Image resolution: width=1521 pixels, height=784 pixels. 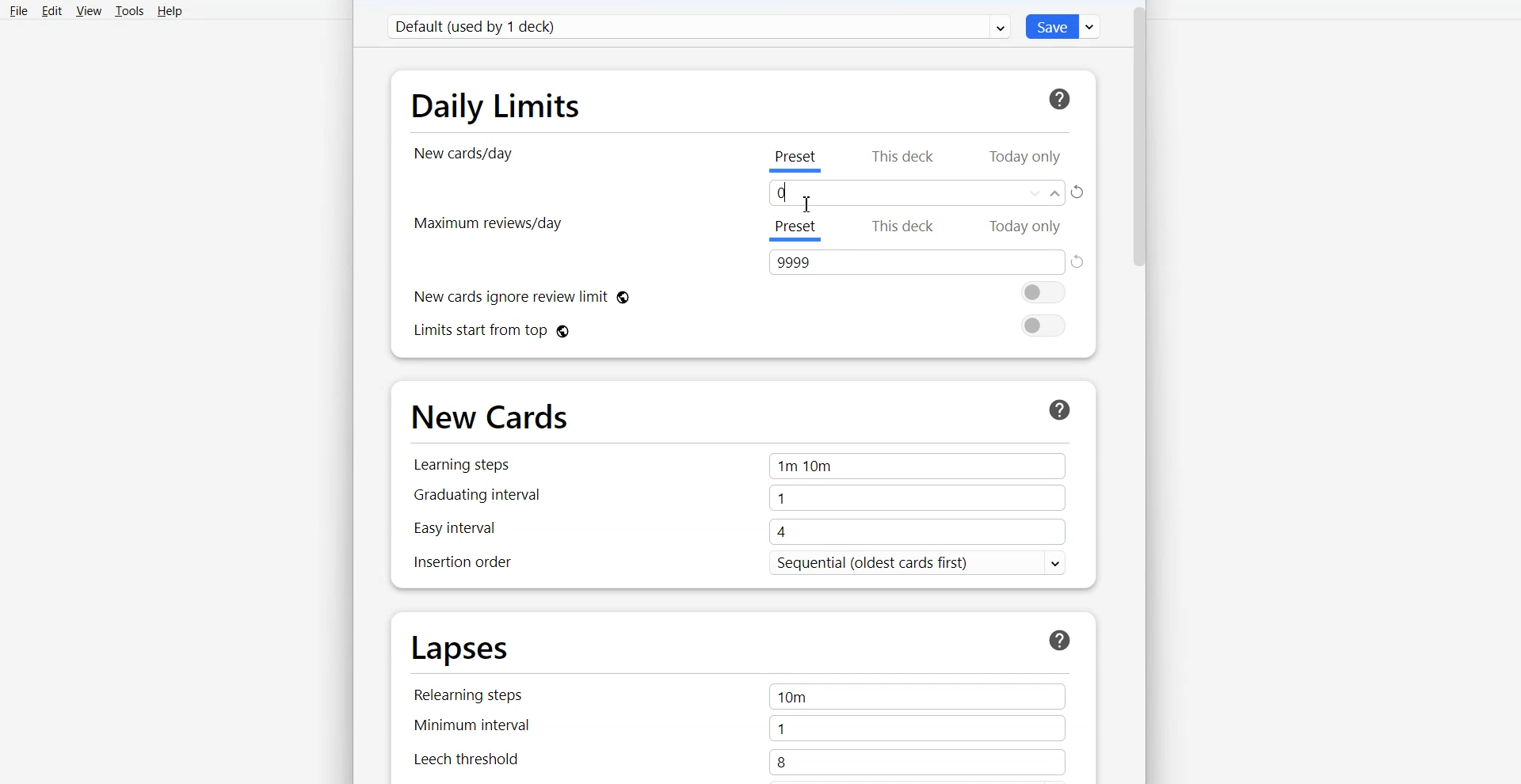 What do you see at coordinates (1081, 261) in the screenshot?
I see `Reset` at bounding box center [1081, 261].